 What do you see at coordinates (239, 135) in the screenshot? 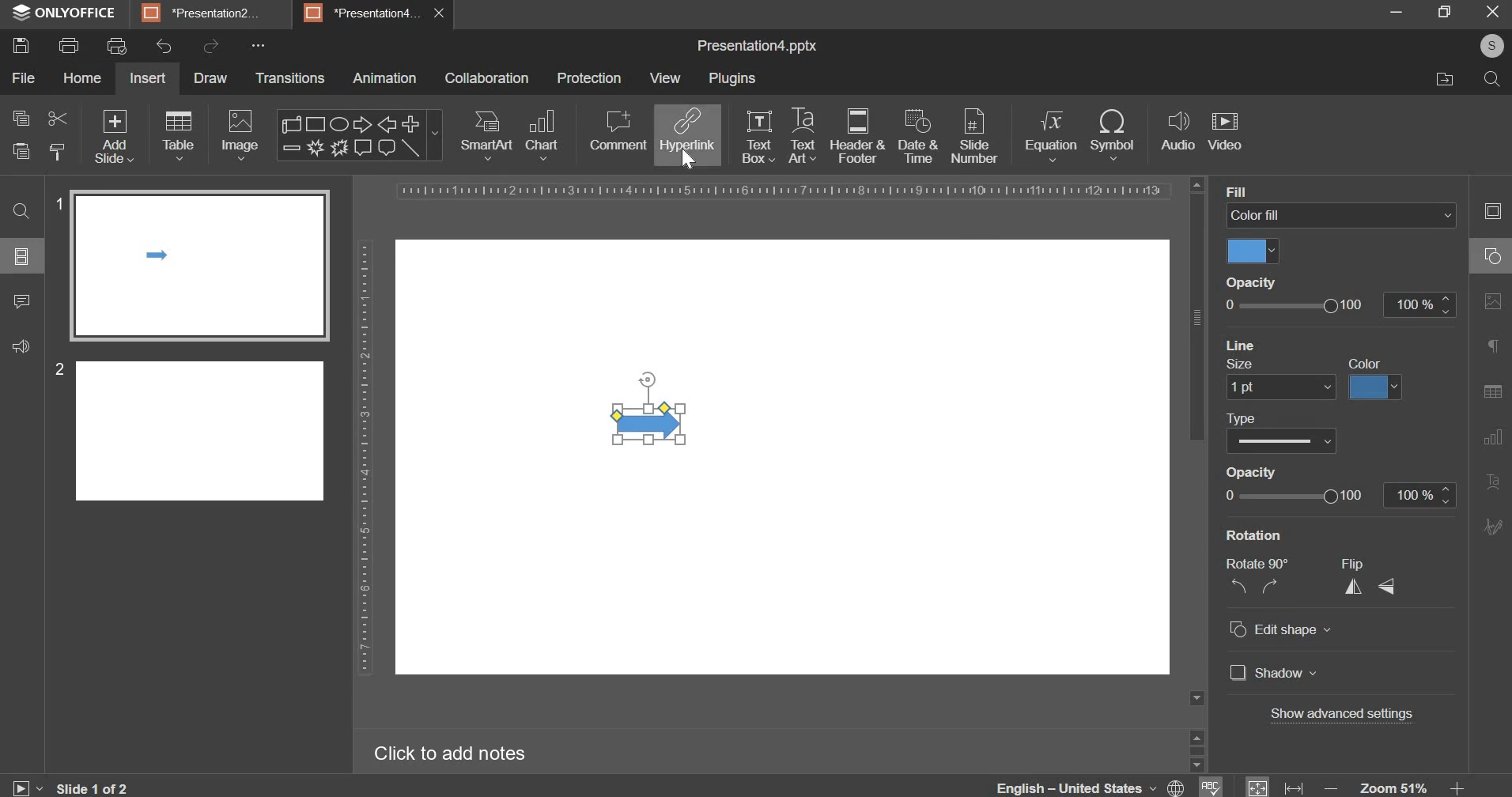
I see `image` at bounding box center [239, 135].